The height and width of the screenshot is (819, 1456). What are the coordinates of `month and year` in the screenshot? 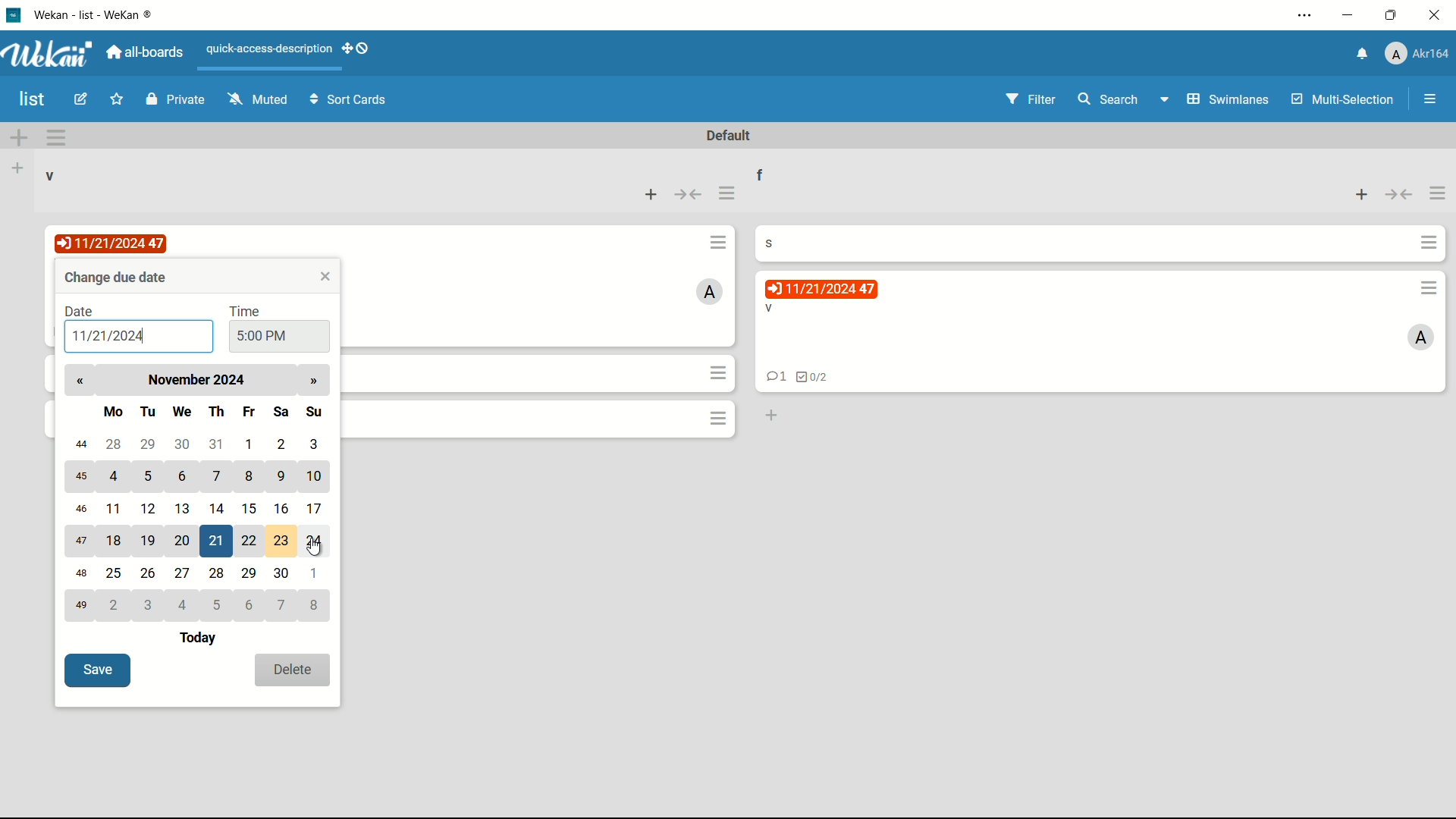 It's located at (201, 379).